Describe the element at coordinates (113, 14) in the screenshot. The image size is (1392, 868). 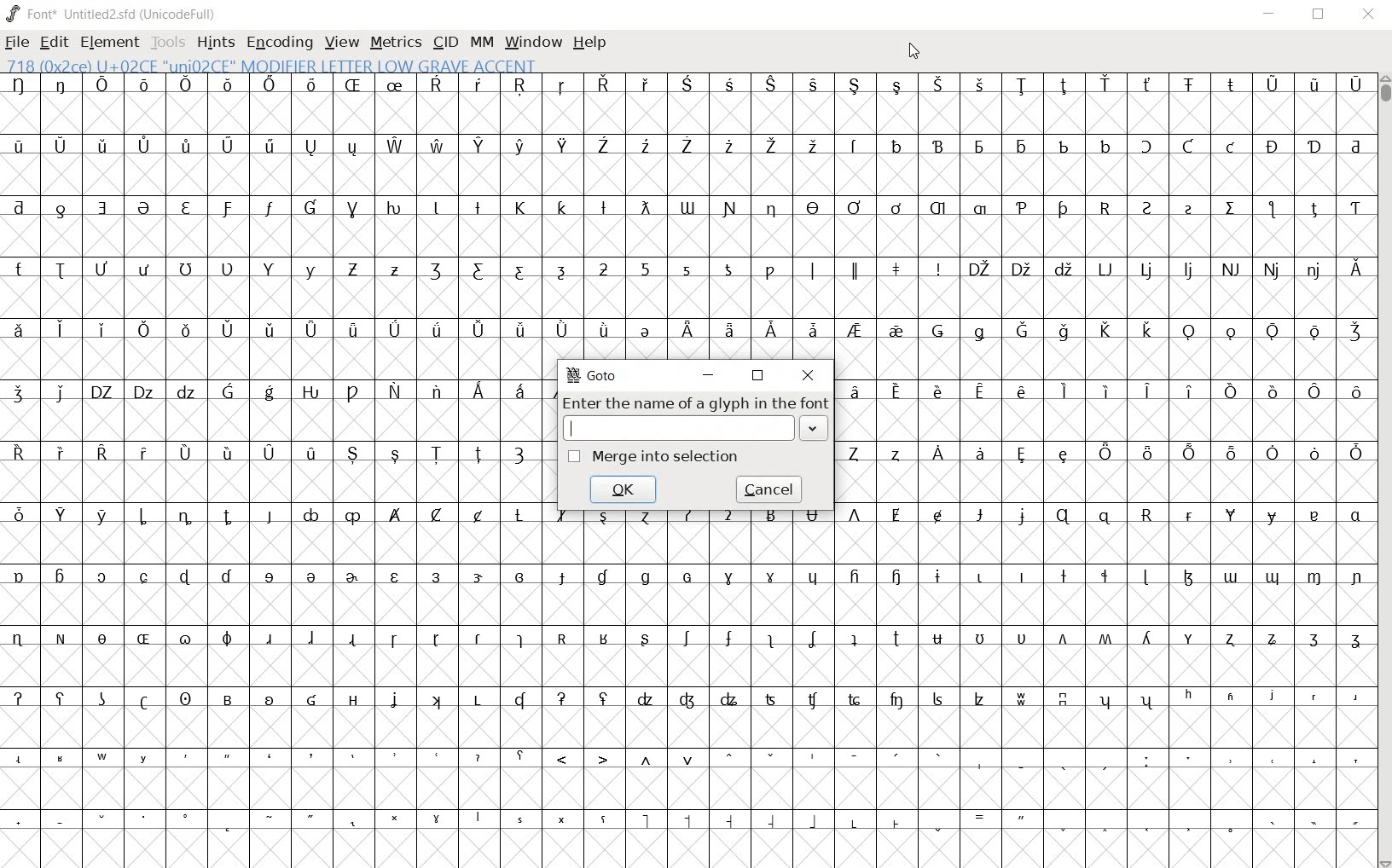
I see `Font* Untitled2.sfd (UnicodeFull)` at that location.